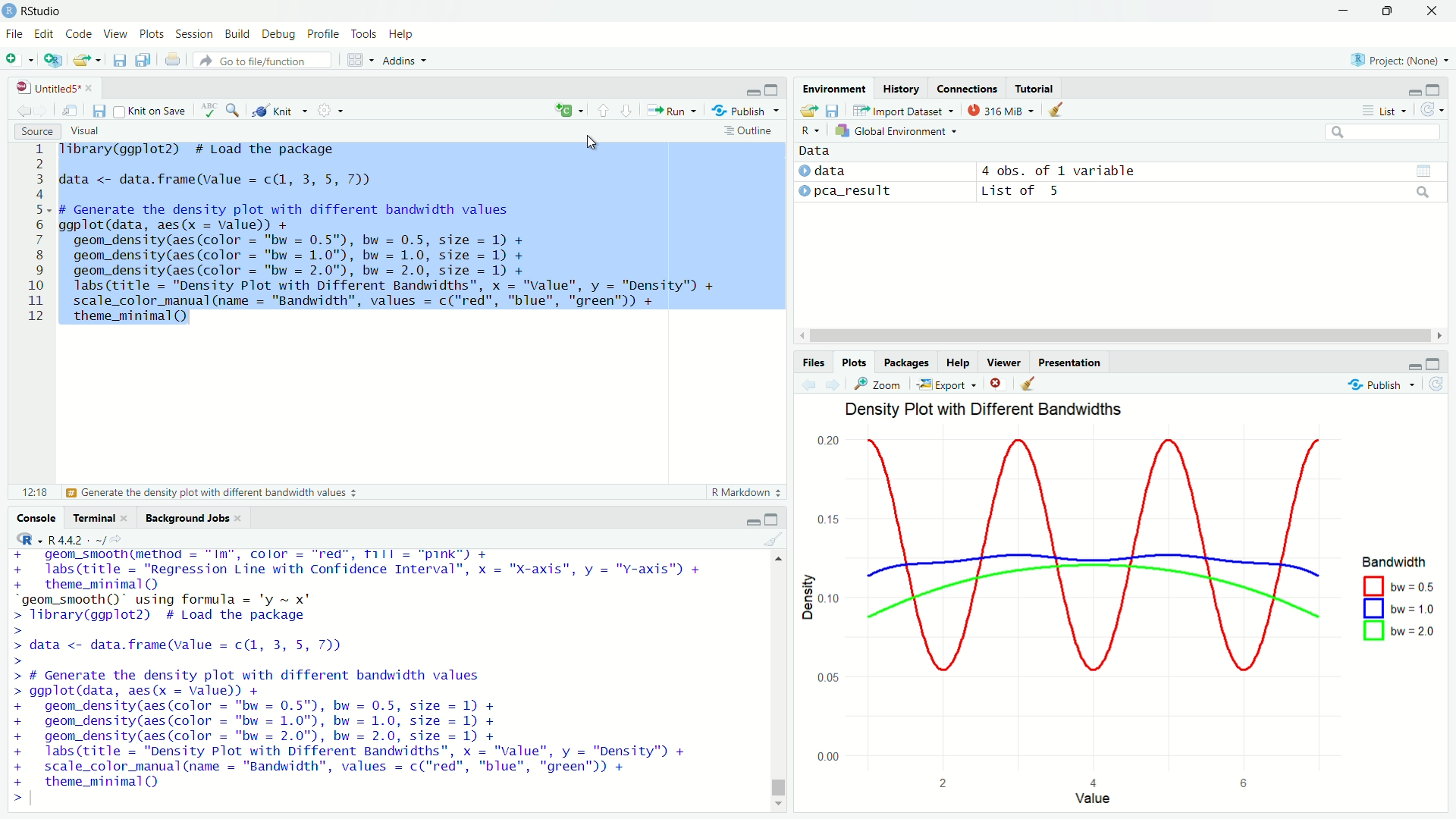  What do you see at coordinates (36, 131) in the screenshot?
I see `Source` at bounding box center [36, 131].